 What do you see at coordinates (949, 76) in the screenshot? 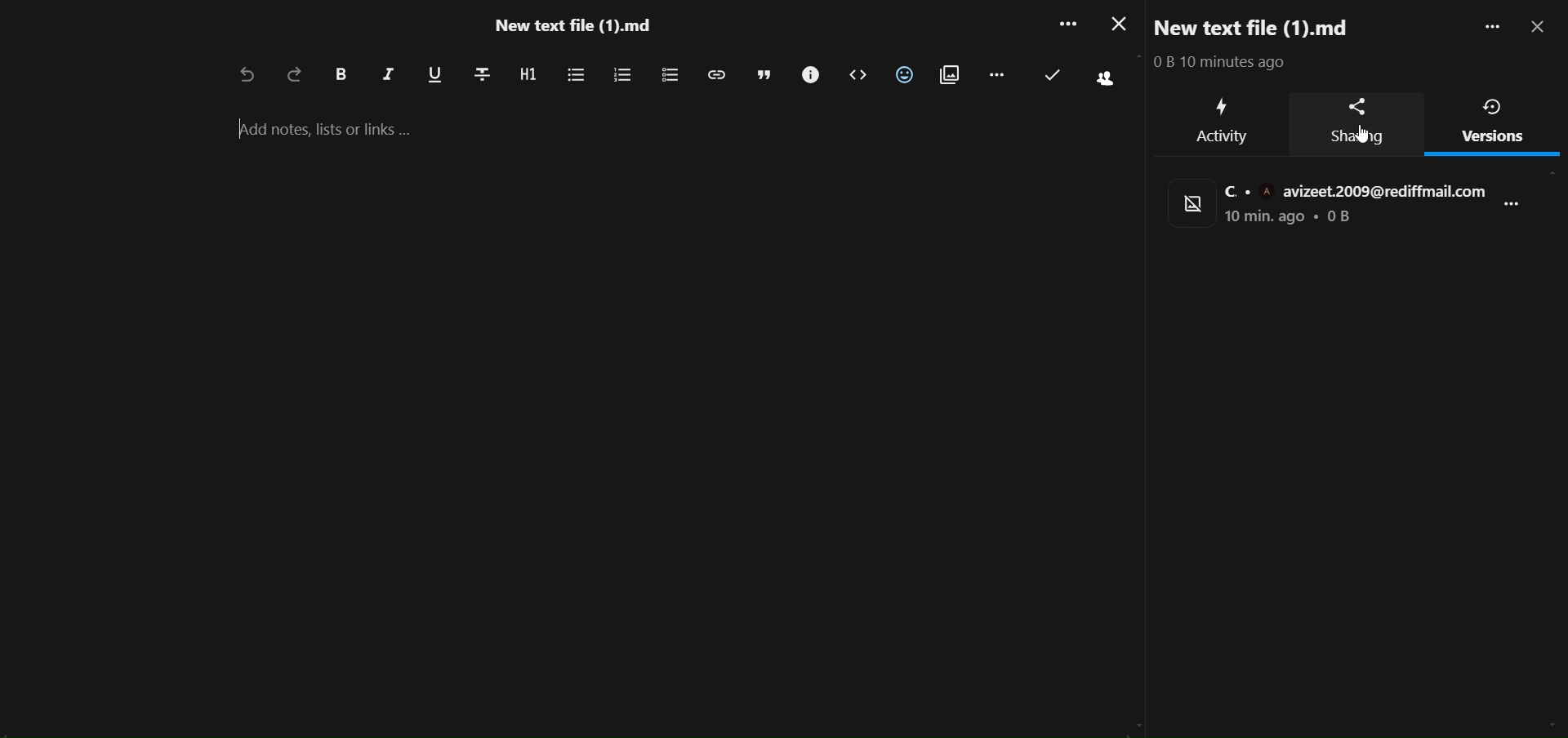
I see `insert attachment` at bounding box center [949, 76].